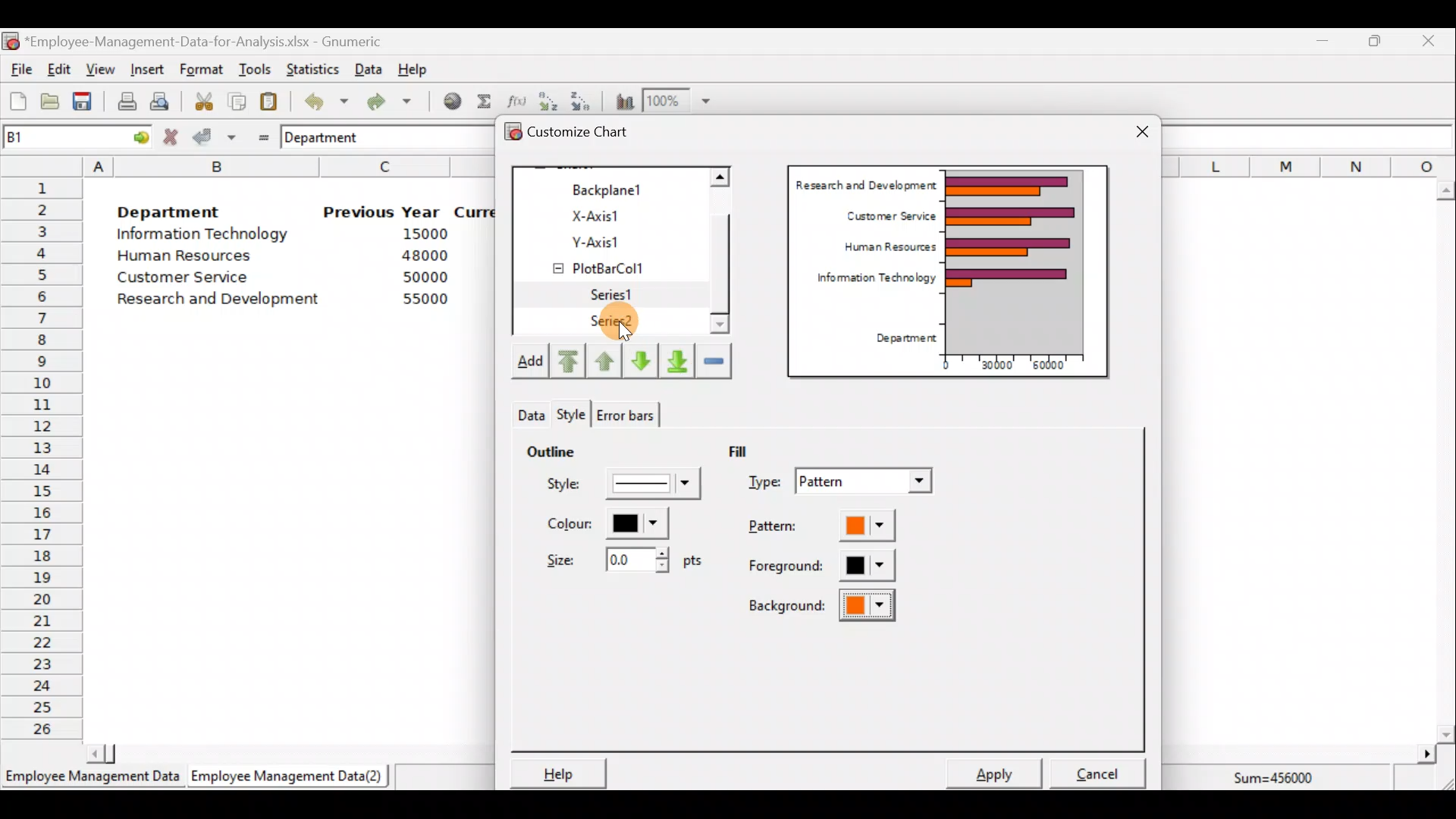 Image resolution: width=1456 pixels, height=819 pixels. What do you see at coordinates (678, 101) in the screenshot?
I see `Zoom` at bounding box center [678, 101].